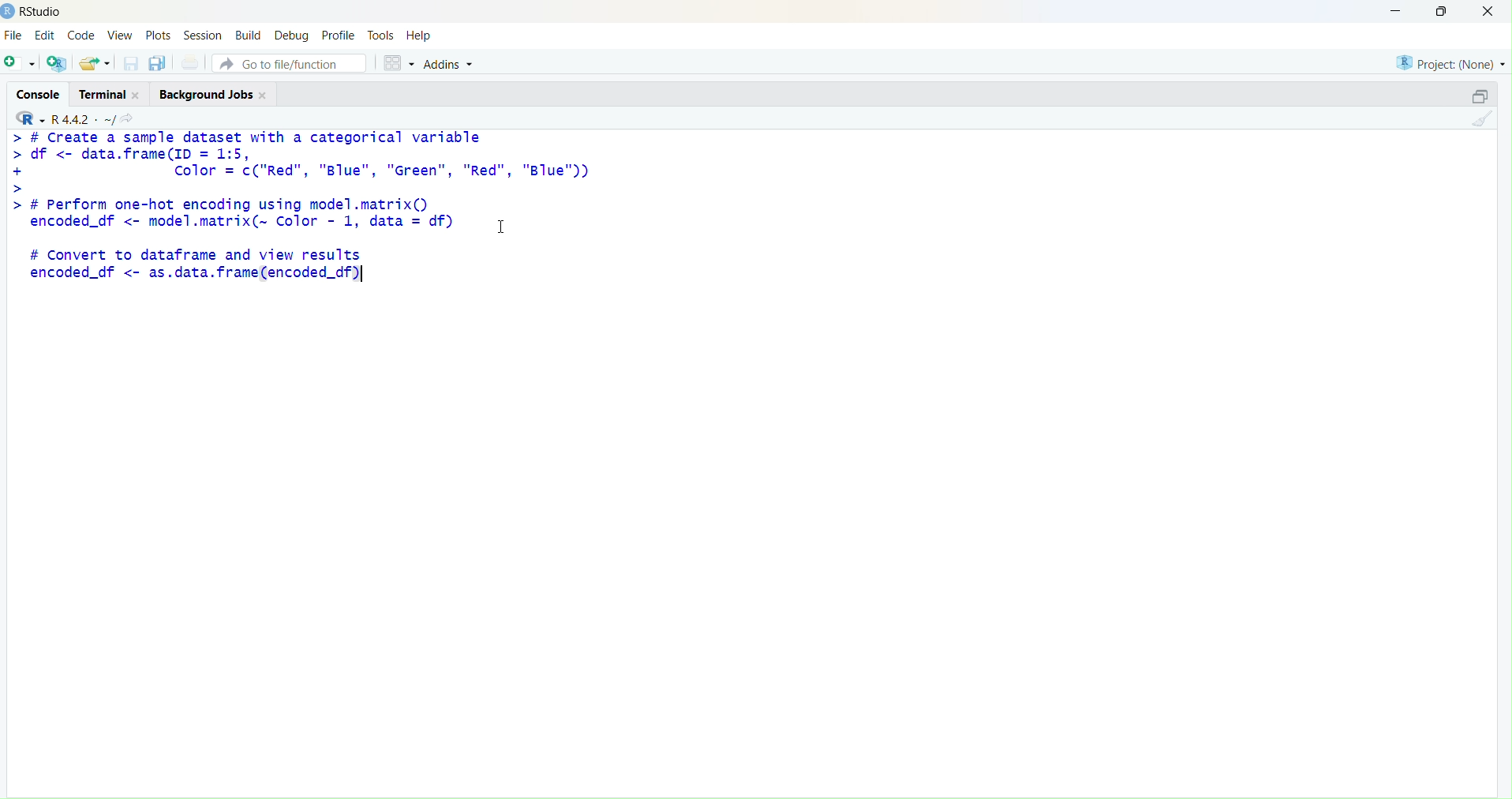 The width and height of the screenshot is (1512, 799). Describe the element at coordinates (83, 119) in the screenshot. I see `R 4.4.2 ~/` at that location.